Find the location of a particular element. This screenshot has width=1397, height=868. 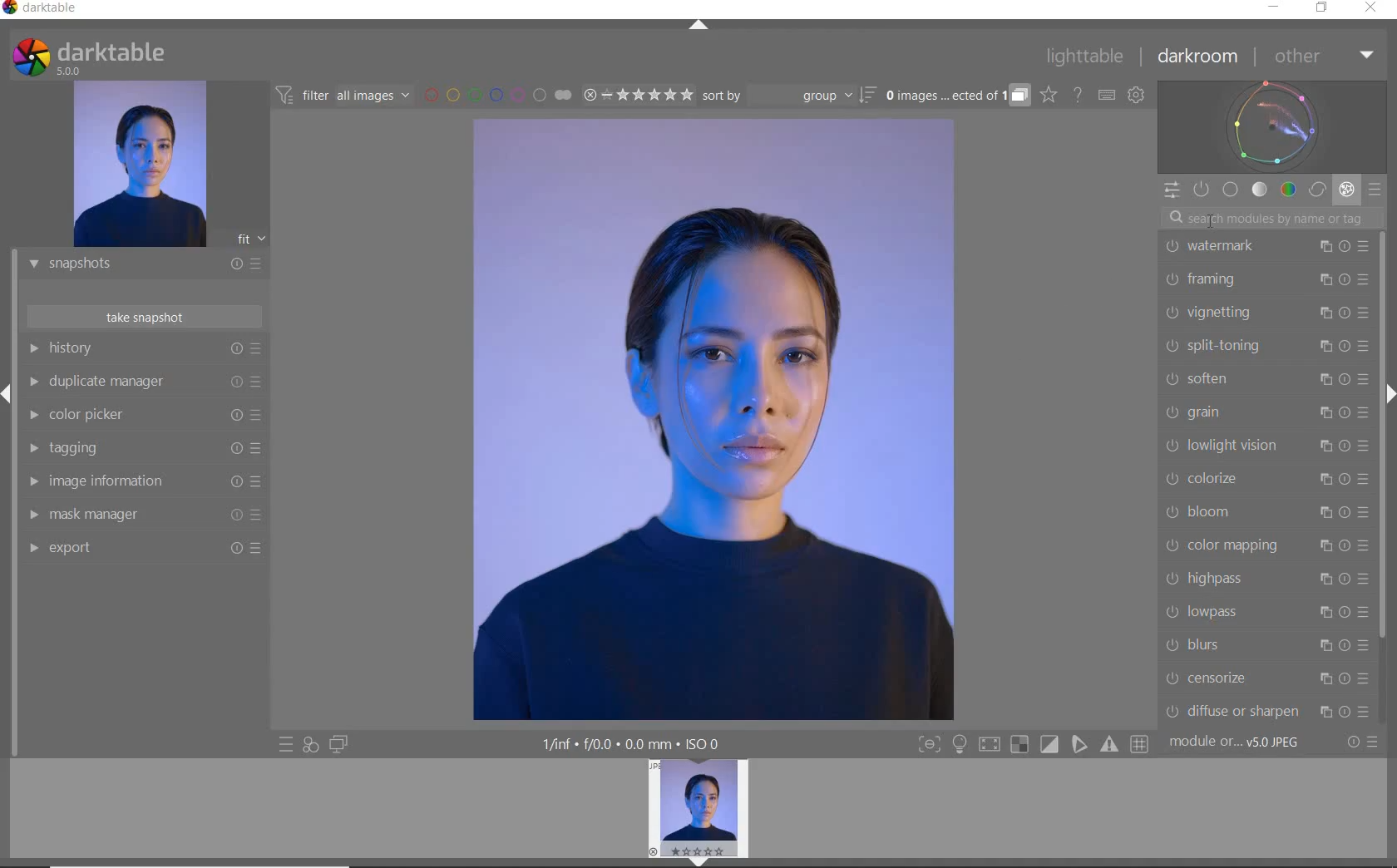

SNAPSHOTS is located at coordinates (138, 265).